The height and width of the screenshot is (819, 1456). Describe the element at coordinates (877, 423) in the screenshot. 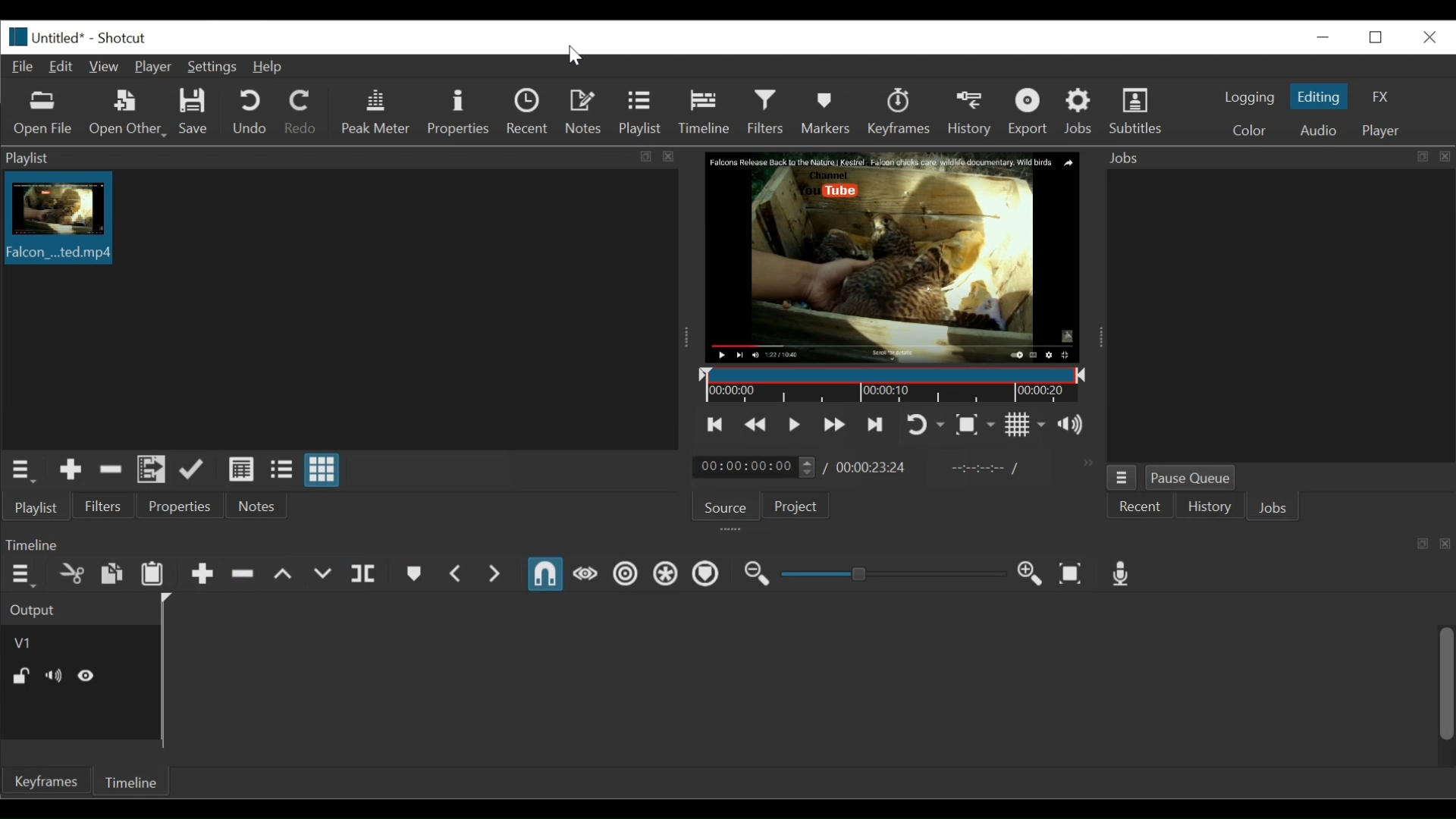

I see `Skip to the next point` at that location.